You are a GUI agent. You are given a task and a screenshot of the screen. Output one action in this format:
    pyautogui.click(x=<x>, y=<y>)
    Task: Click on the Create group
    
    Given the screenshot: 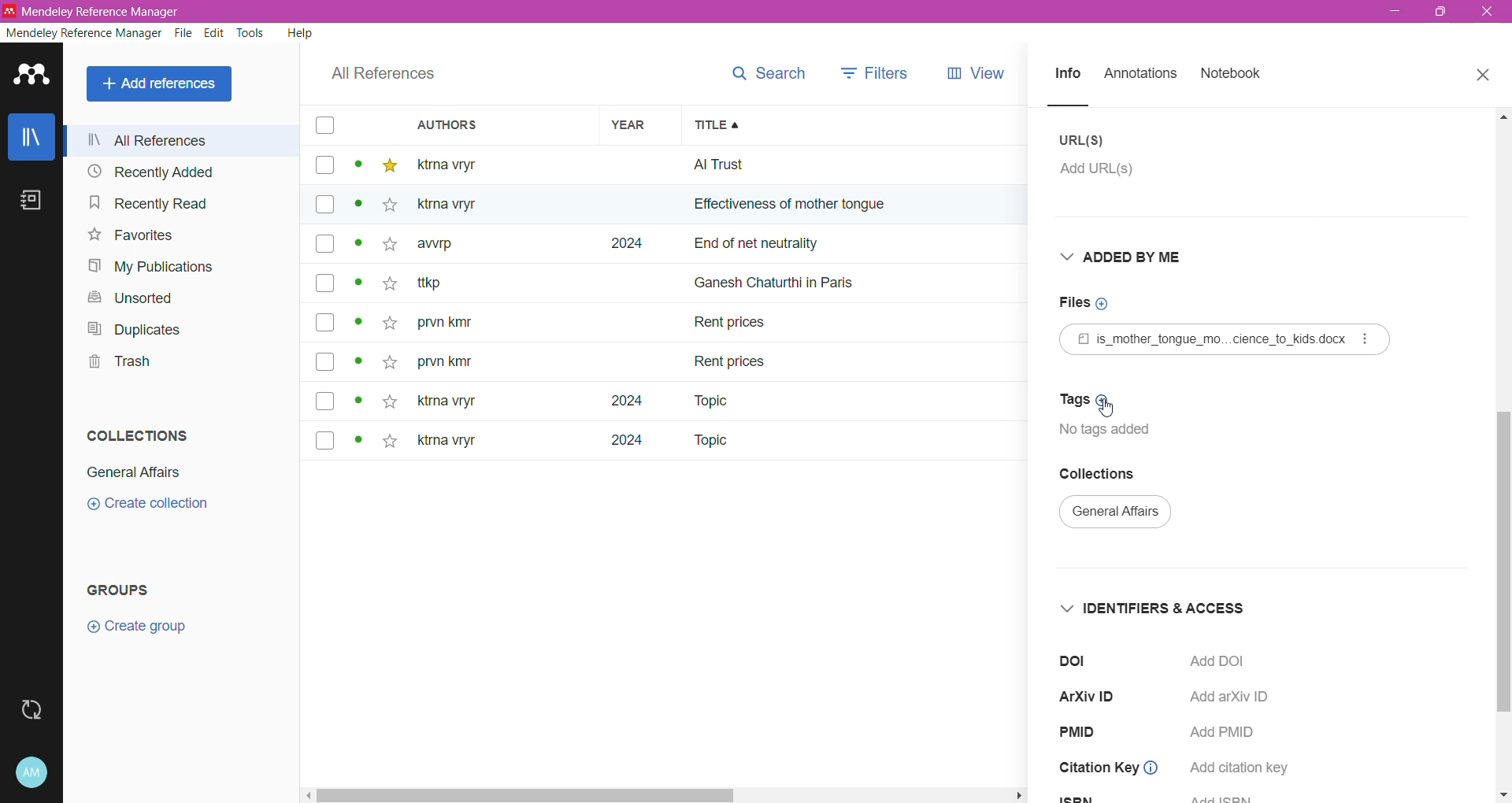 What is the action you would take?
    pyautogui.click(x=136, y=627)
    